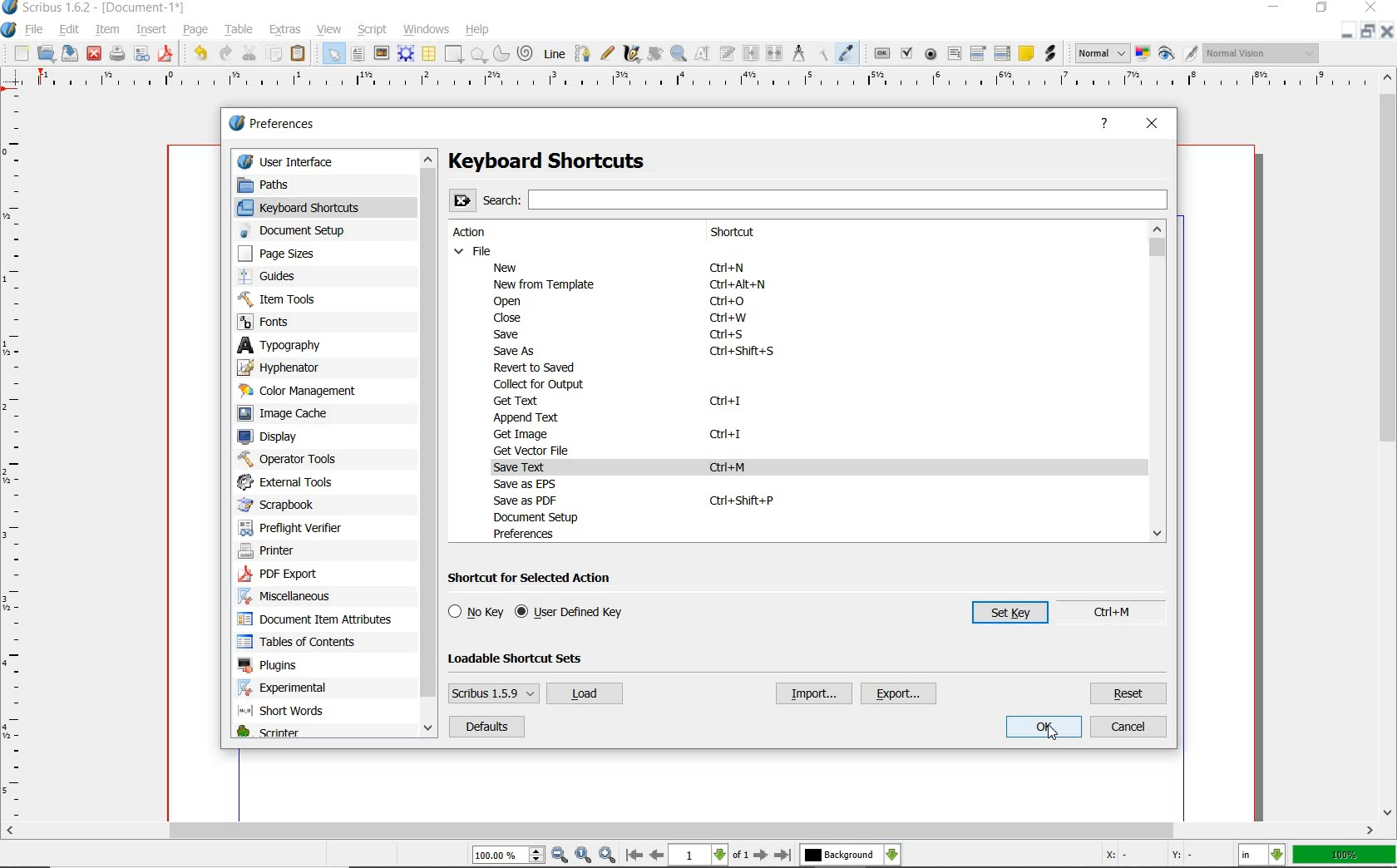  Describe the element at coordinates (1323, 7) in the screenshot. I see `restore` at that location.